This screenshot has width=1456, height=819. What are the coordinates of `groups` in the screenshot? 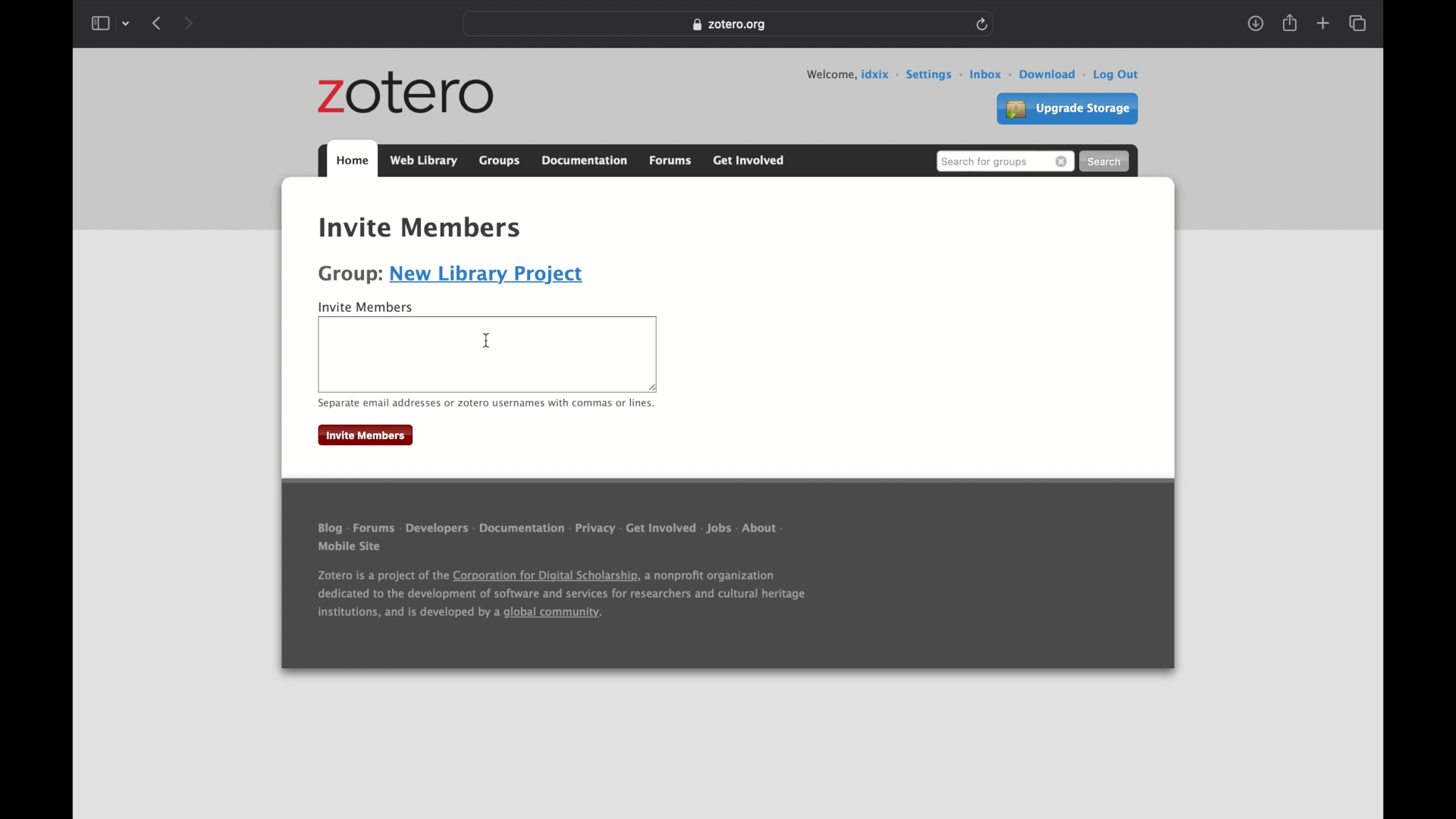 It's located at (500, 159).